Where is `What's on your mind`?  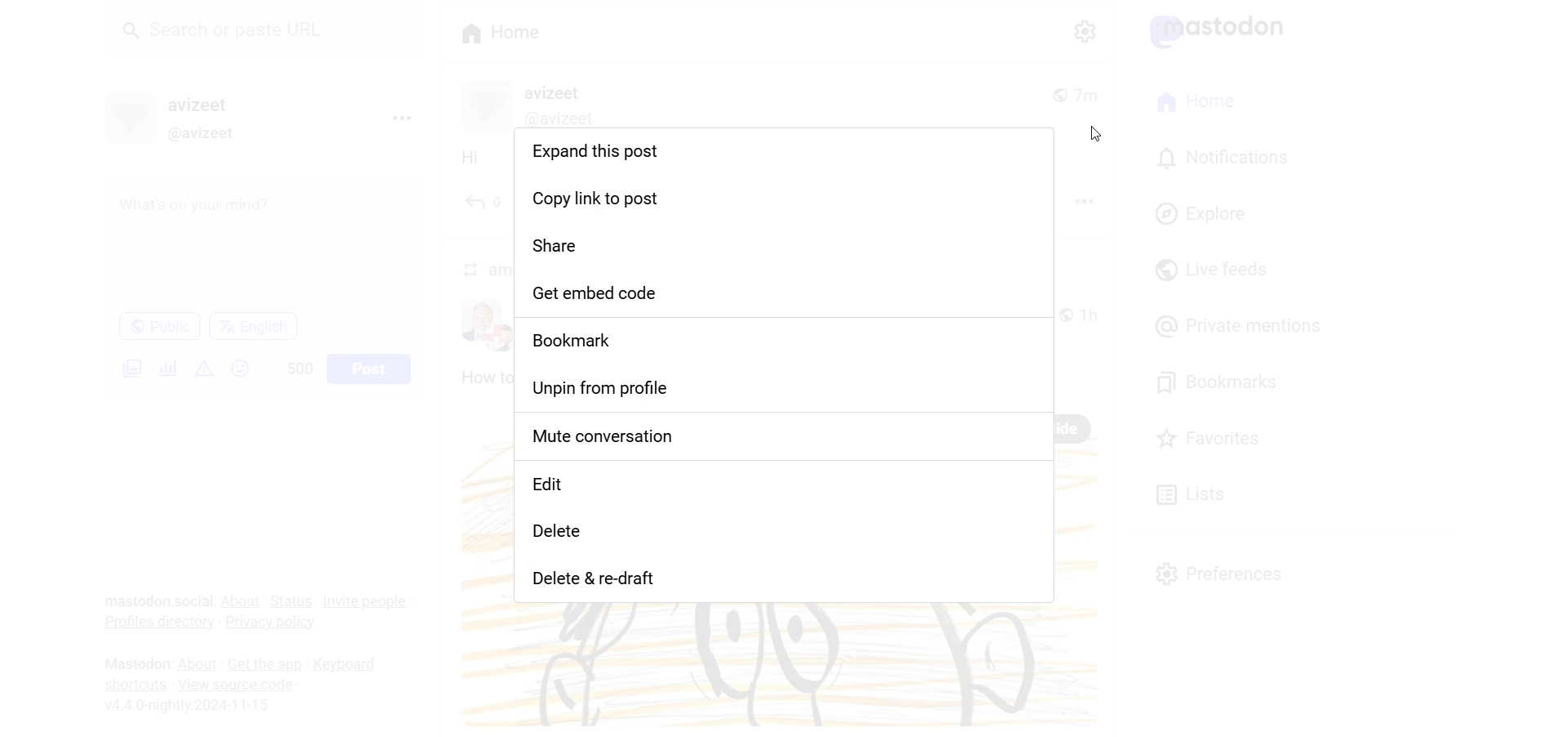 What's on your mind is located at coordinates (263, 246).